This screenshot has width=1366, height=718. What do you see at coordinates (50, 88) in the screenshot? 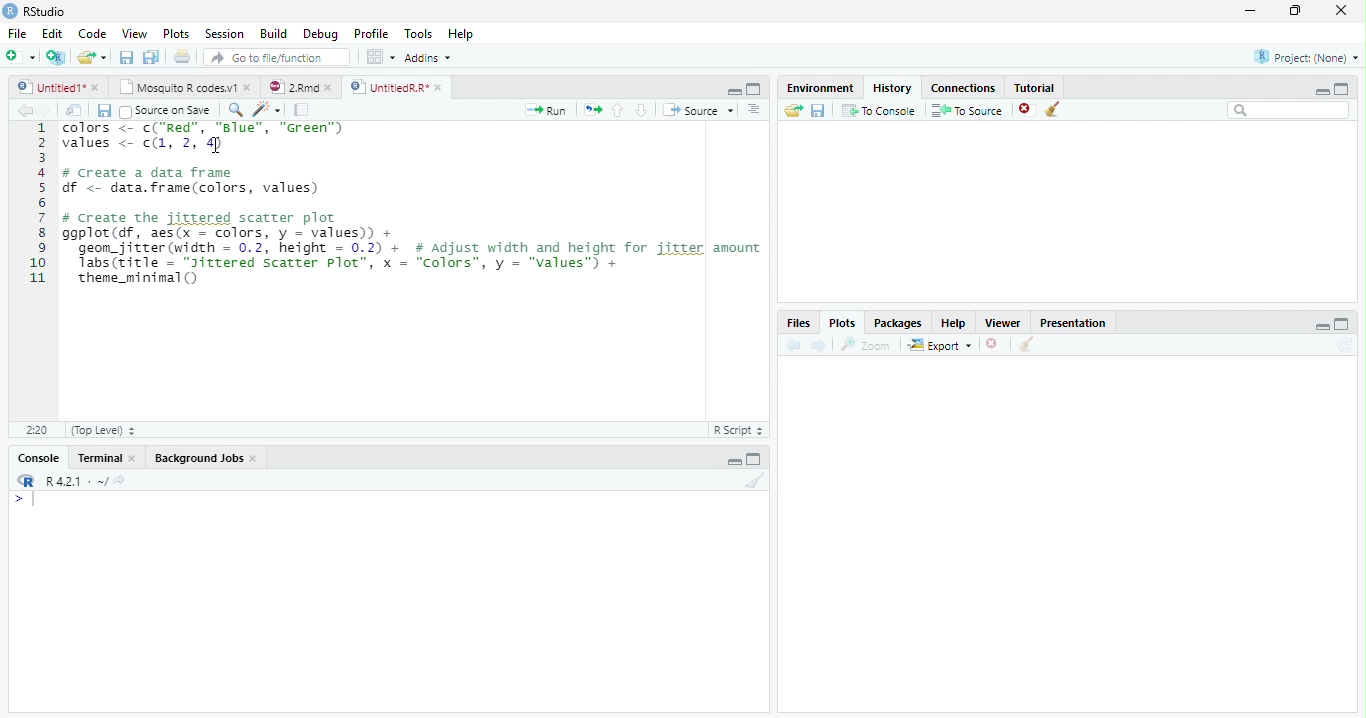
I see `Untitled1*` at bounding box center [50, 88].